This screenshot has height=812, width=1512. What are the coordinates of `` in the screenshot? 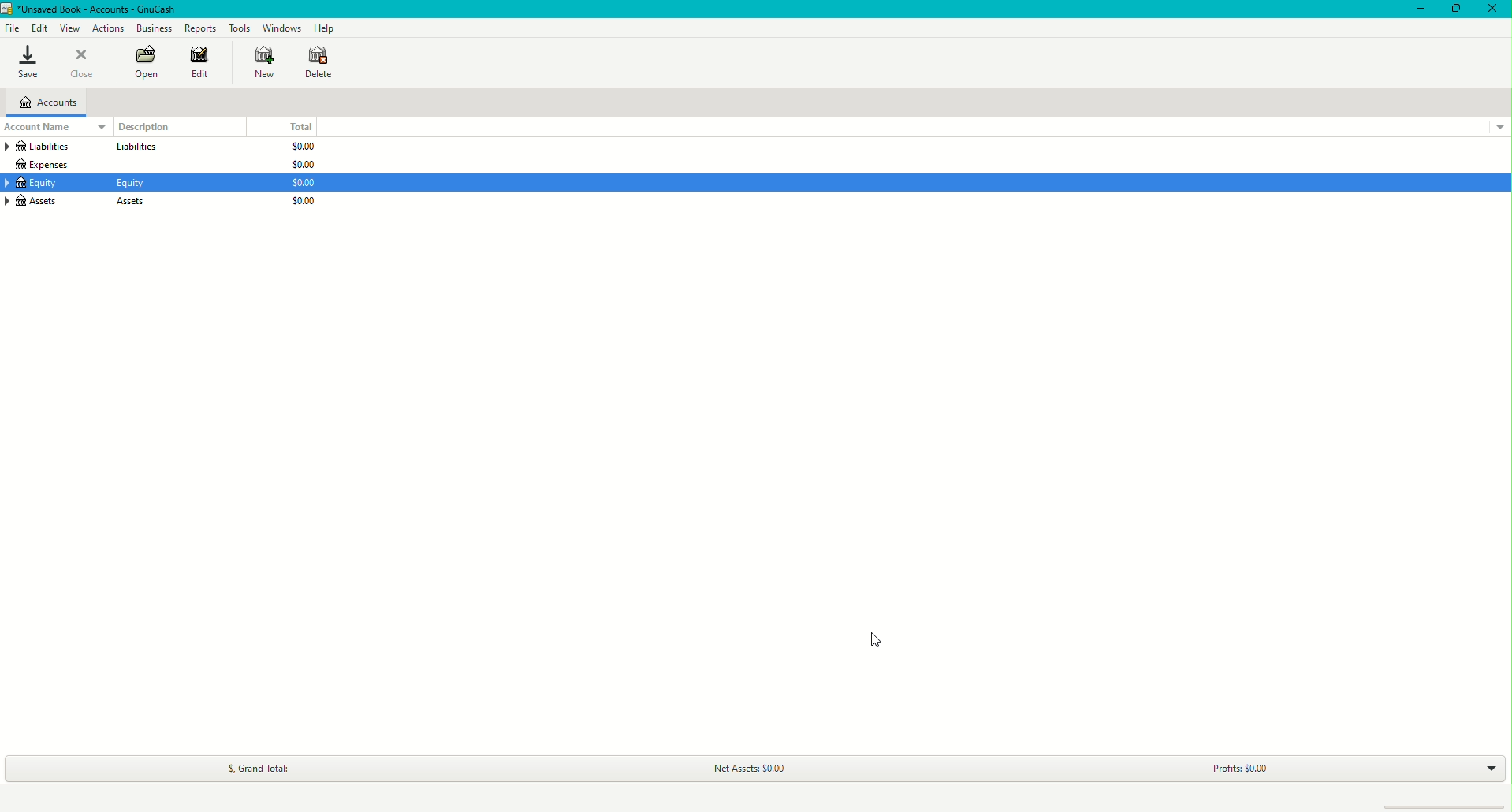 It's located at (135, 203).